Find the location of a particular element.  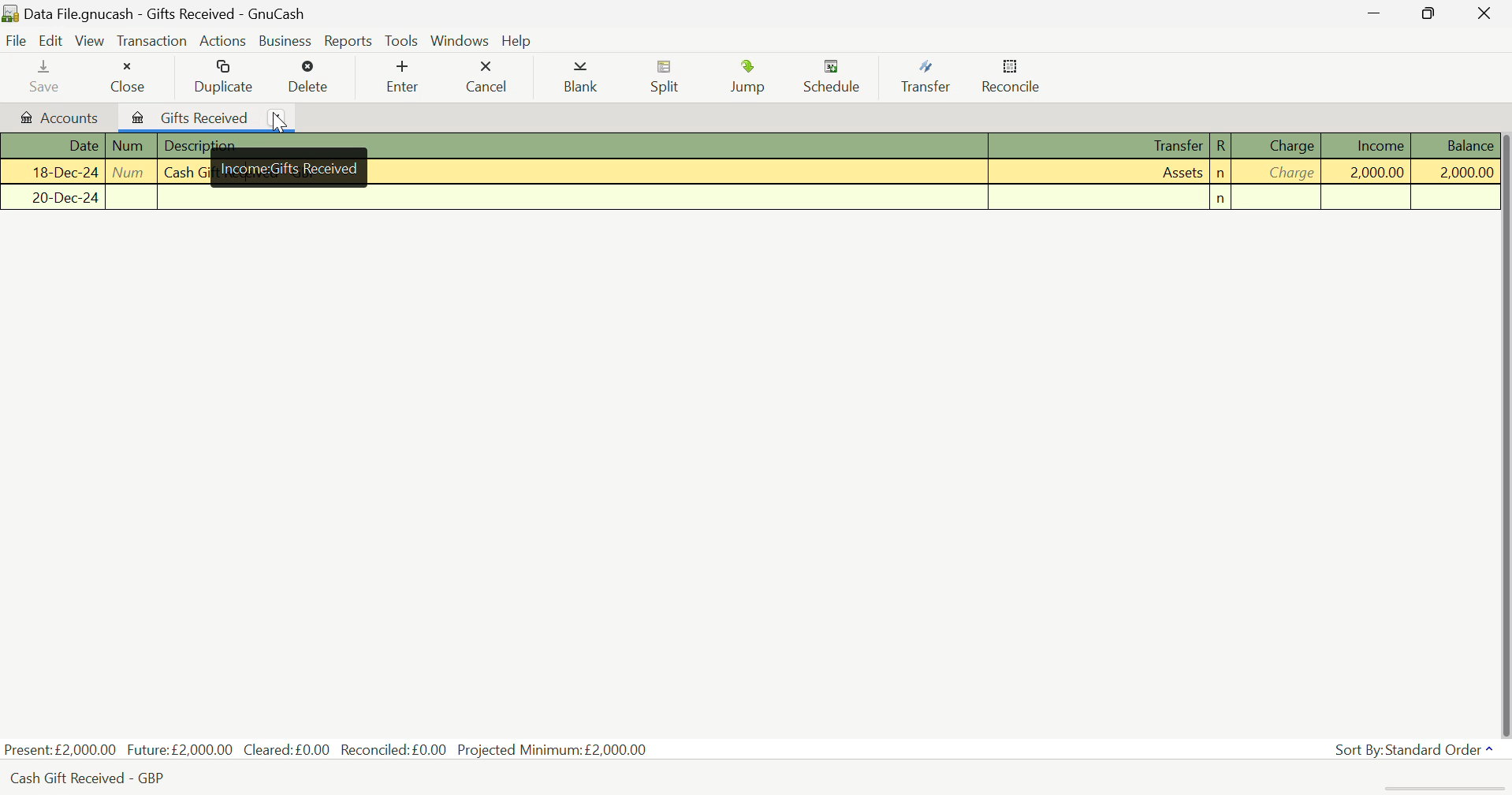

View is located at coordinates (91, 39).